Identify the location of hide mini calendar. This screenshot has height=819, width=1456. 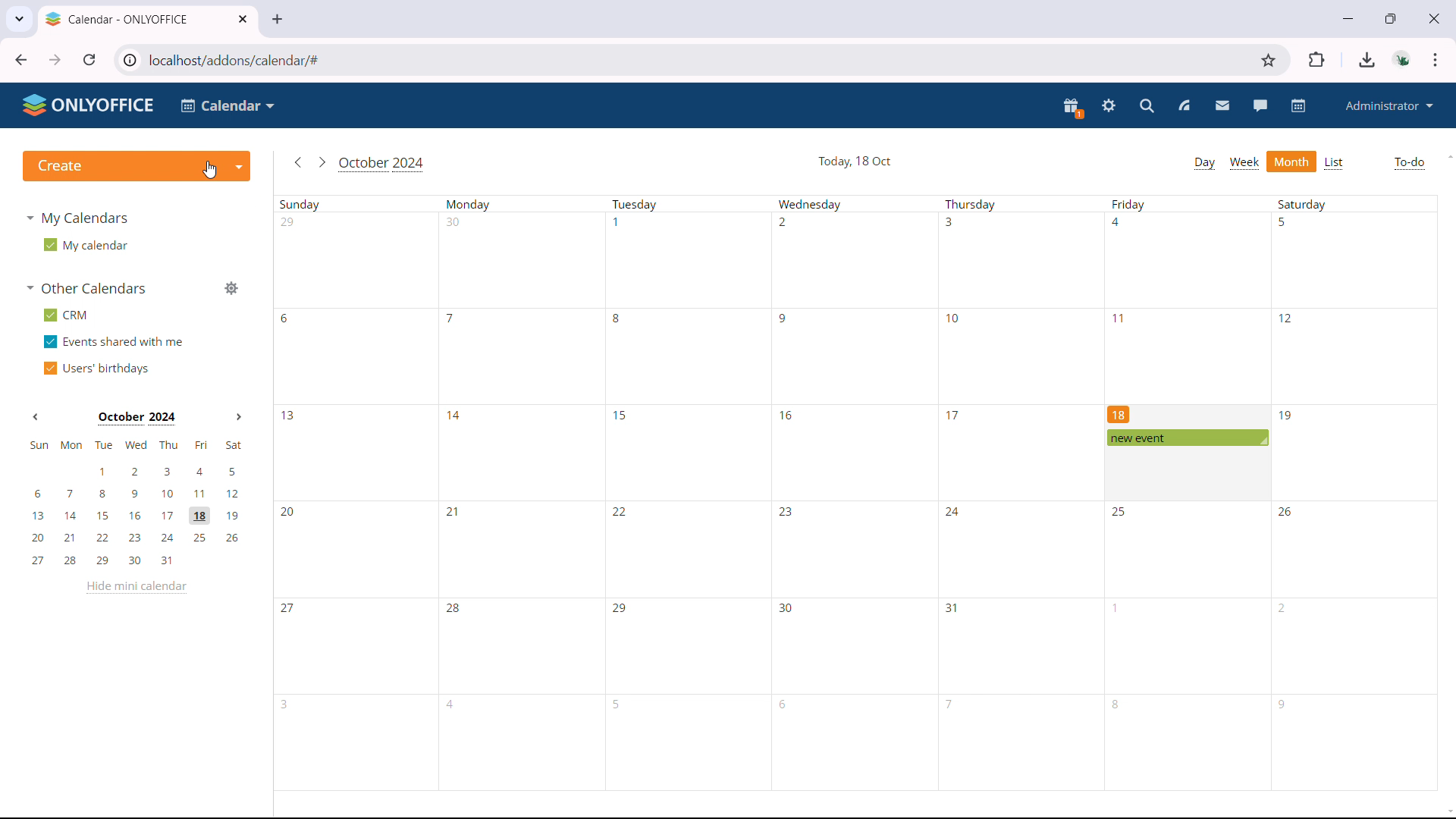
(136, 586).